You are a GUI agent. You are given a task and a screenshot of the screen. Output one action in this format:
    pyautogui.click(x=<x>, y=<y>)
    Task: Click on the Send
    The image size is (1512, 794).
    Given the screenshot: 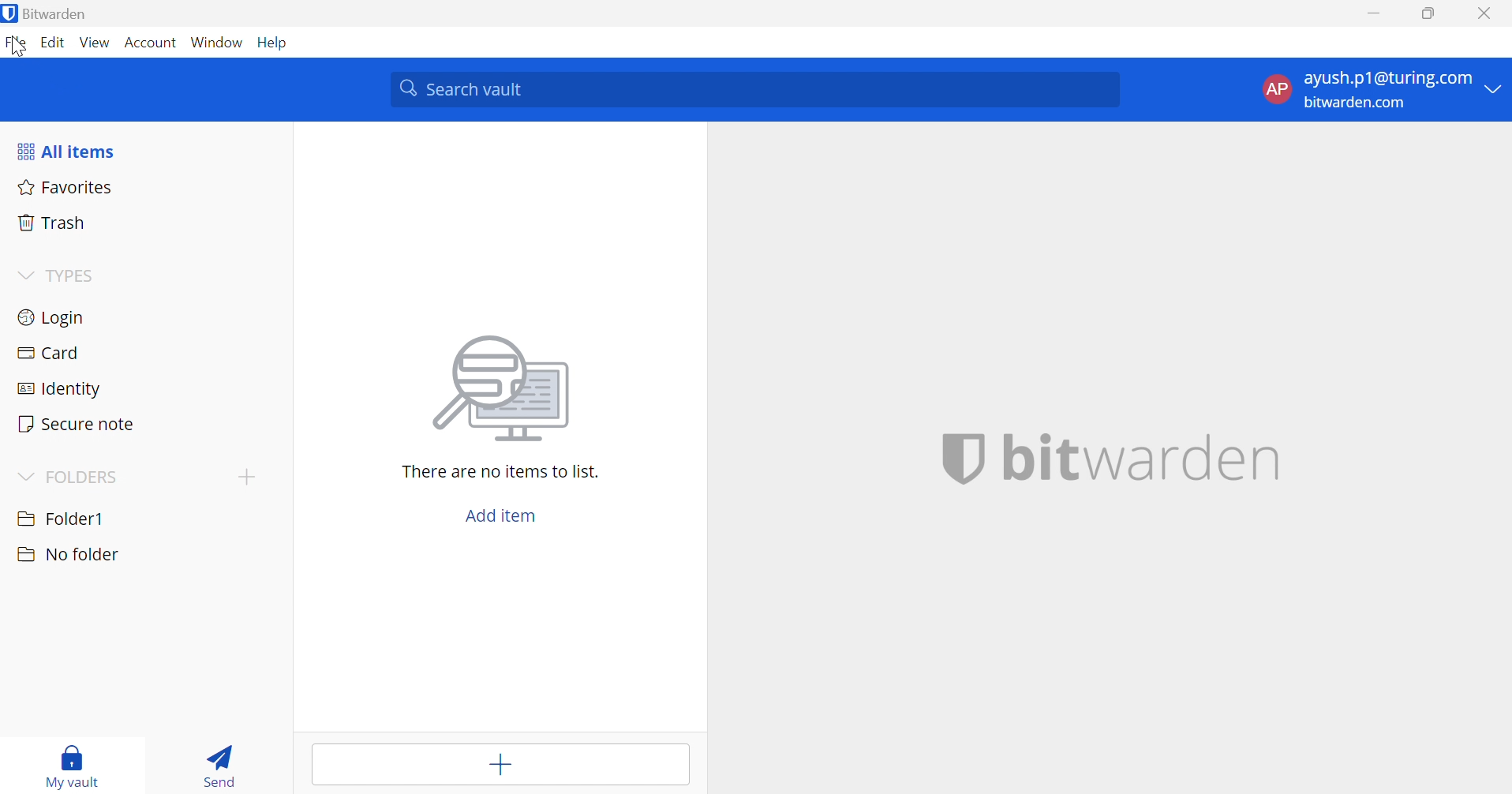 What is the action you would take?
    pyautogui.click(x=223, y=762)
    